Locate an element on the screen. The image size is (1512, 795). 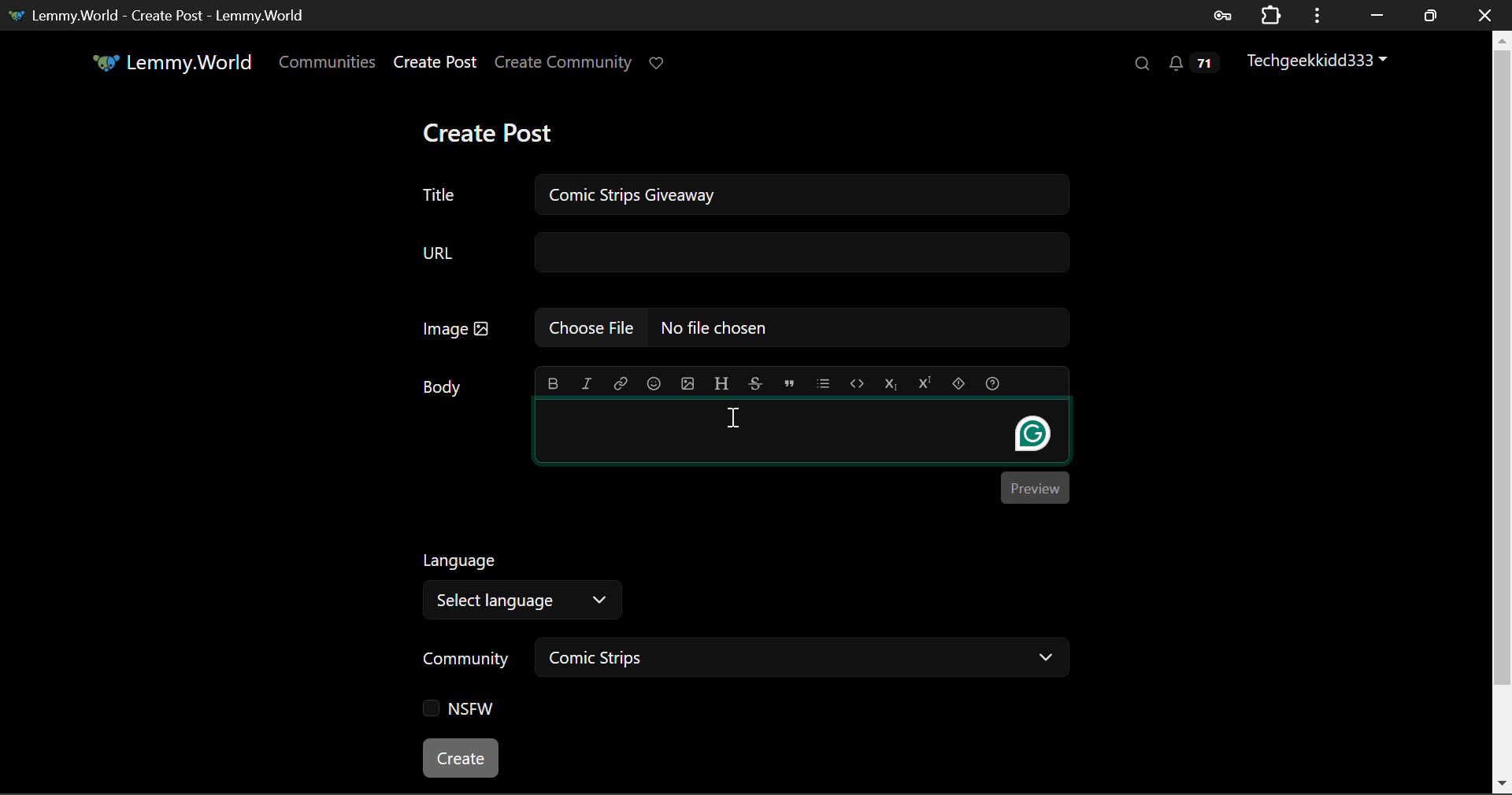
link is located at coordinates (620, 380).